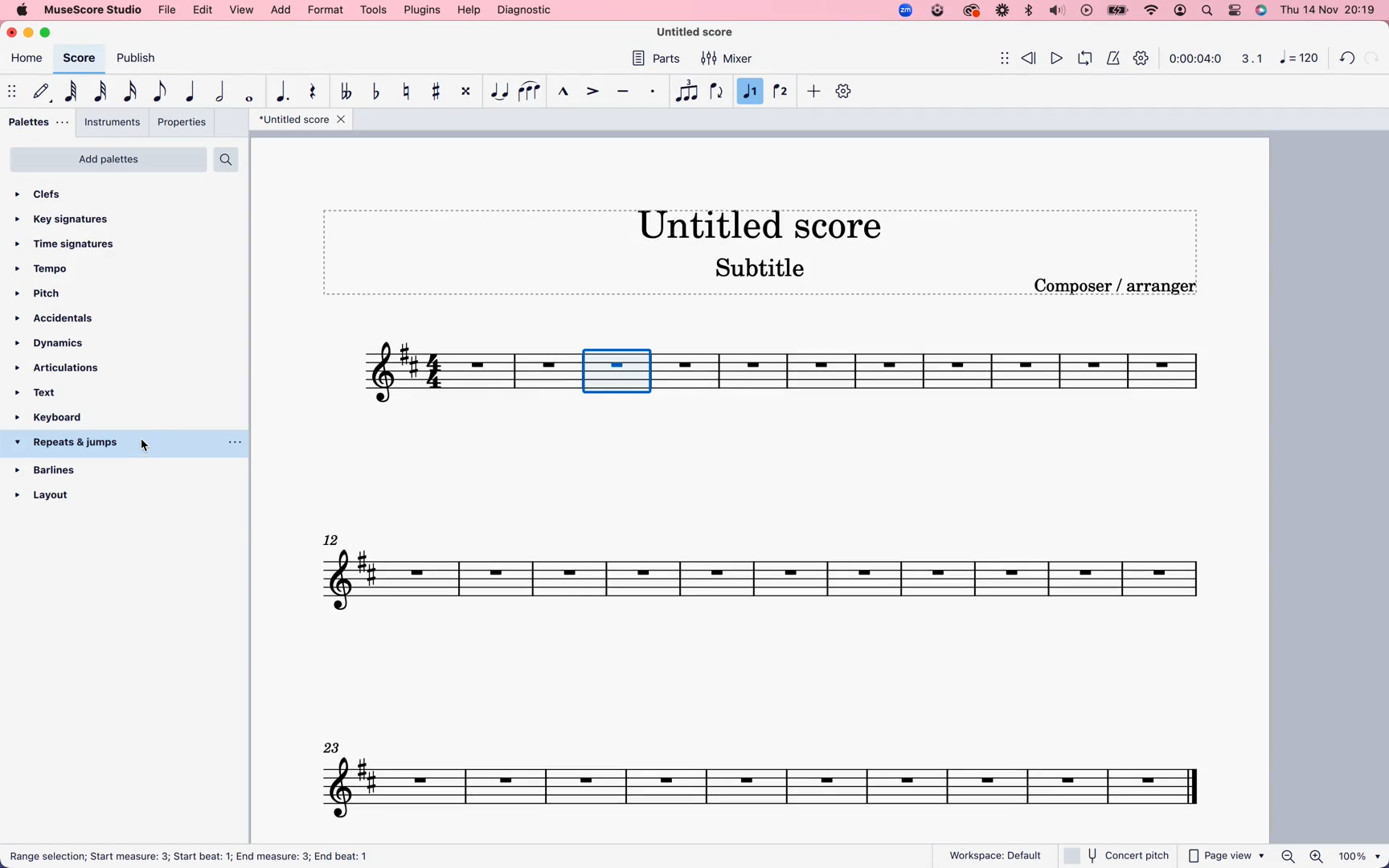 The image size is (1389, 868). I want to click on loom, so click(1001, 11).